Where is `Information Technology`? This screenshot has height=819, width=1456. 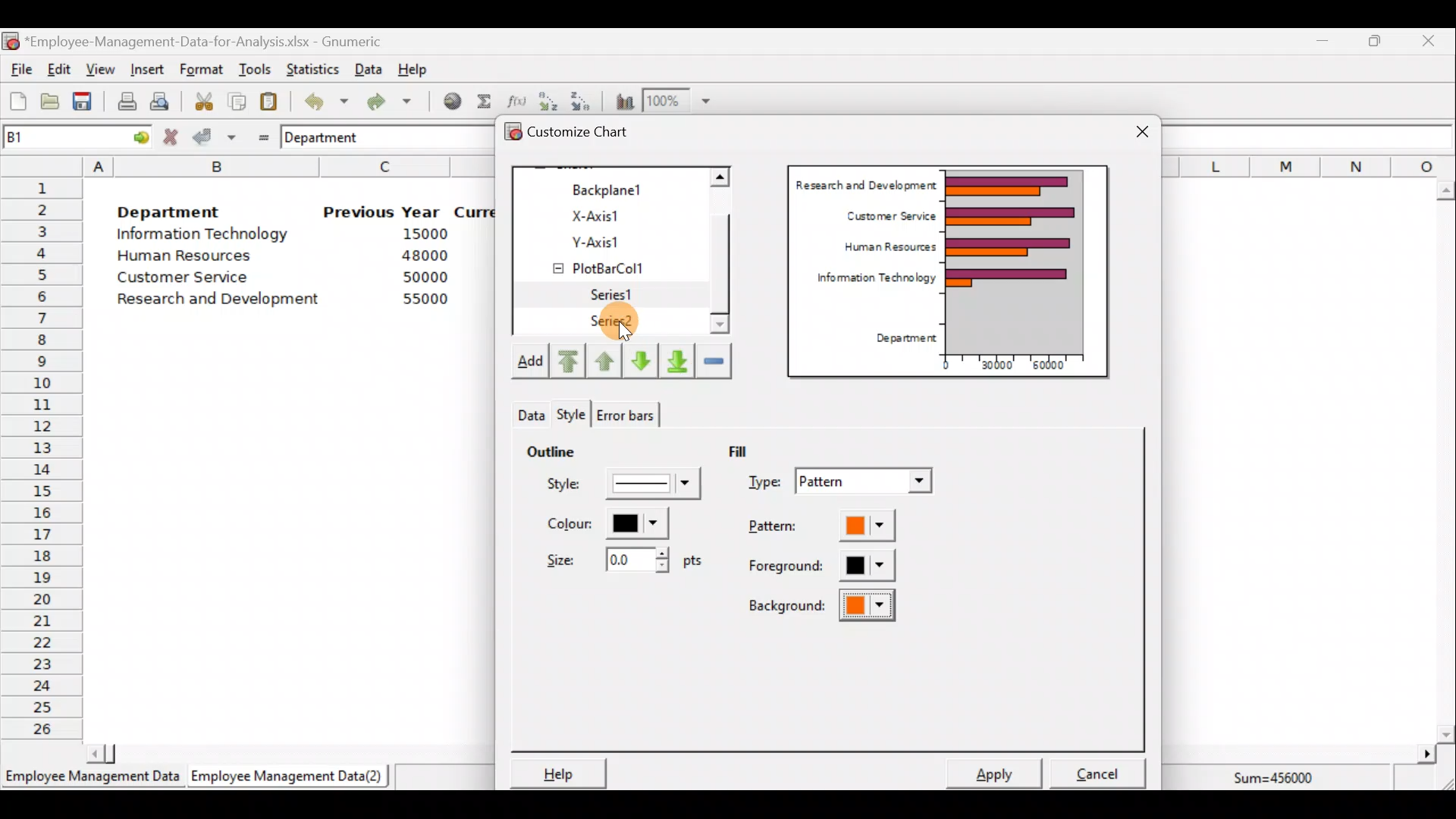 Information Technology is located at coordinates (205, 234).